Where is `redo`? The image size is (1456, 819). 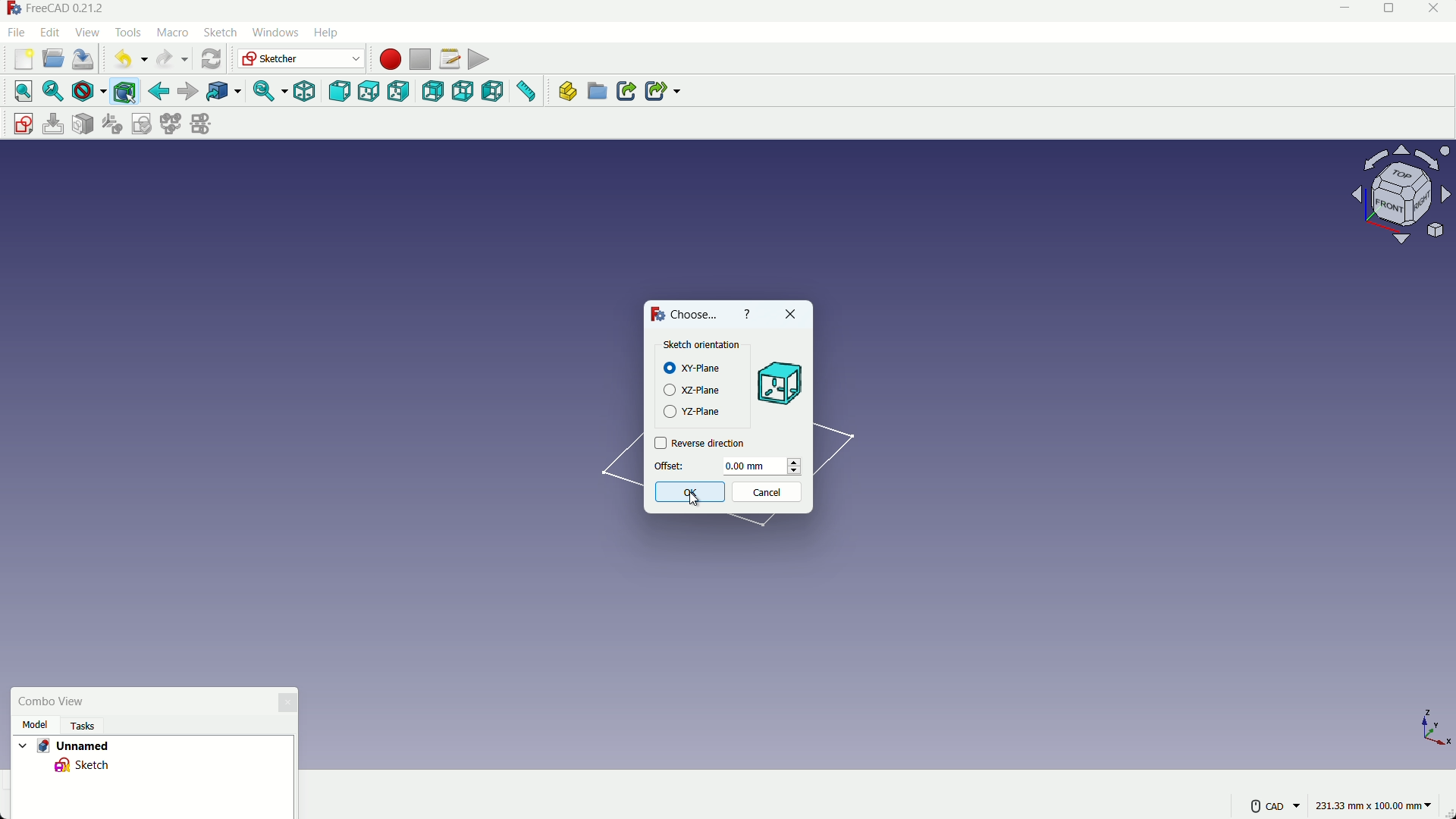 redo is located at coordinates (172, 59).